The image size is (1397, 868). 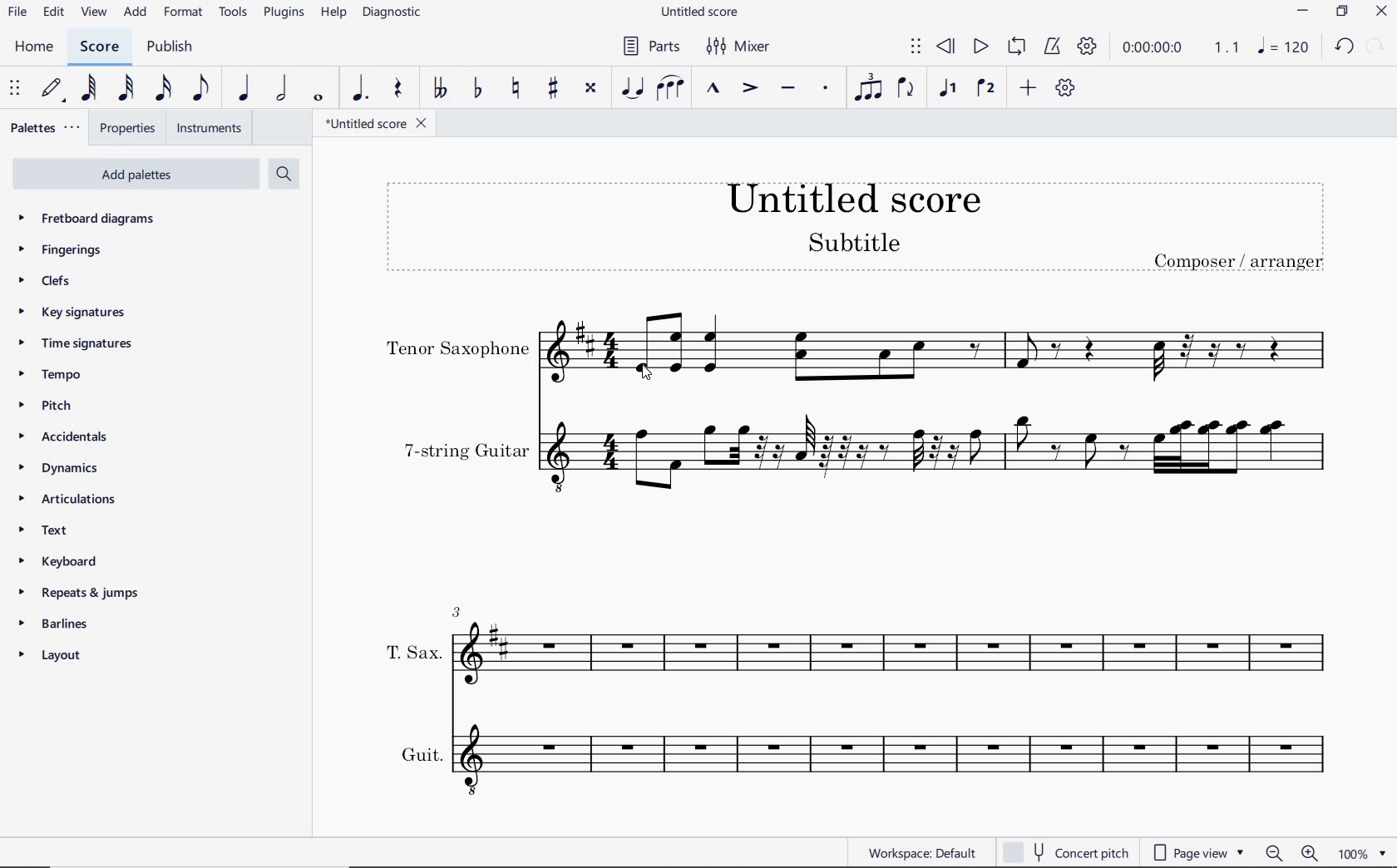 I want to click on PLAY SPEED, so click(x=1183, y=52).